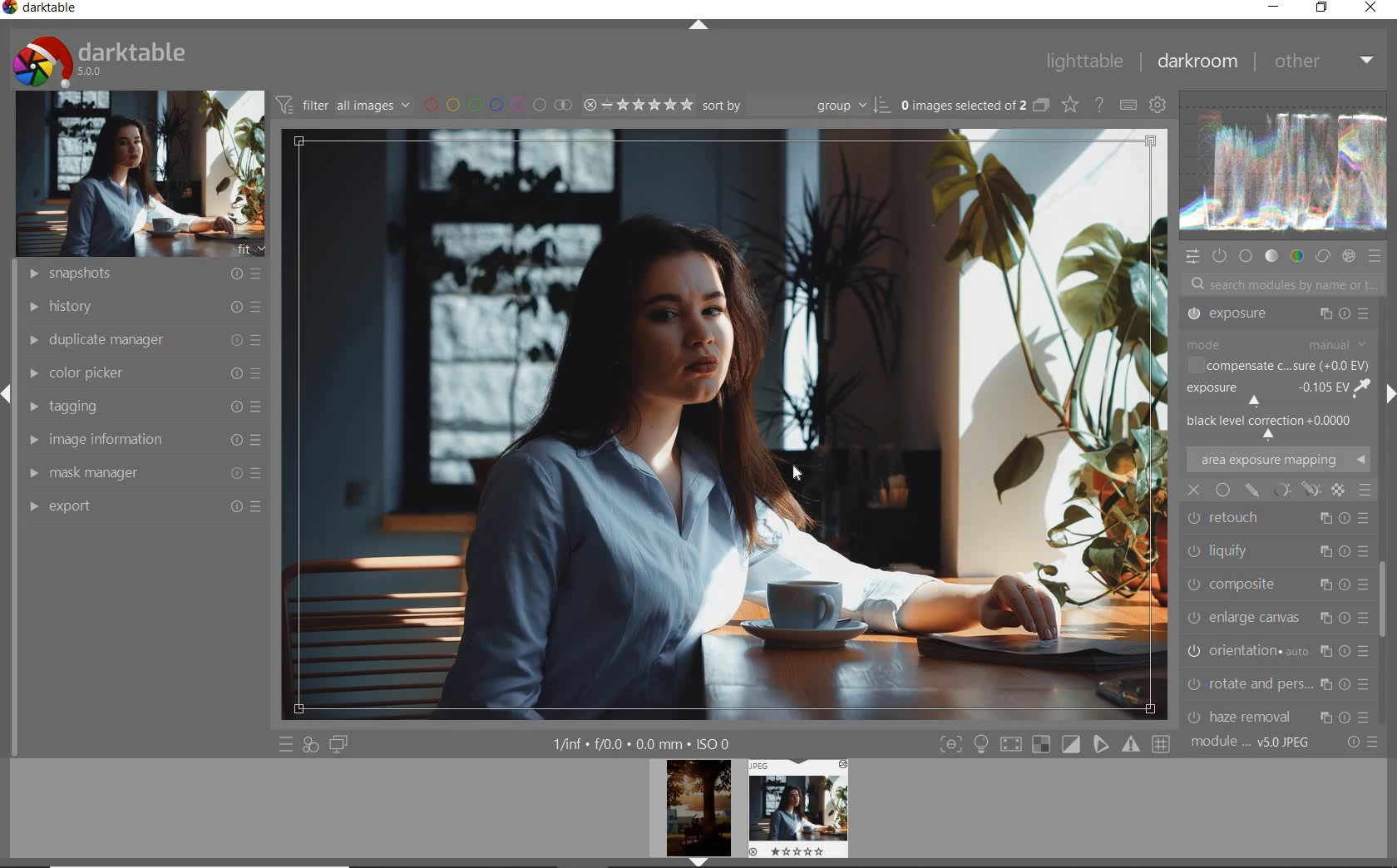  What do you see at coordinates (141, 340) in the screenshot?
I see `DUPLICATE MANAGER` at bounding box center [141, 340].